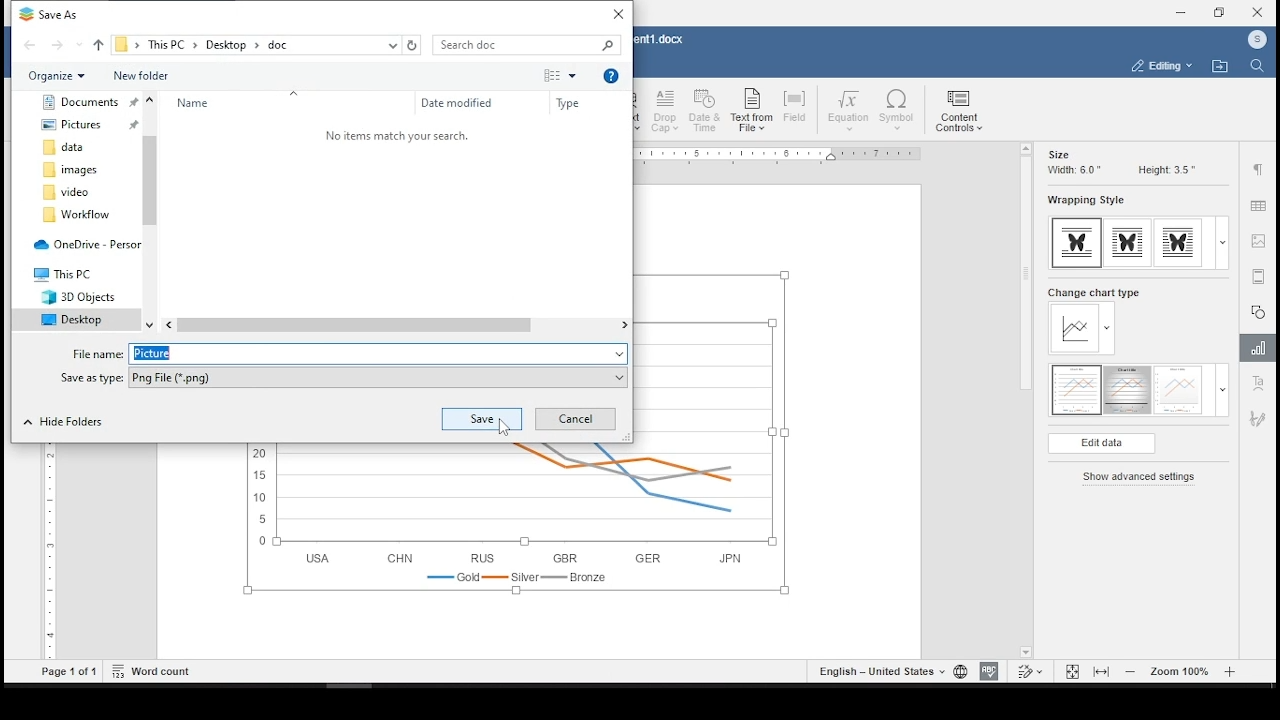 Image resolution: width=1280 pixels, height=720 pixels. What do you see at coordinates (1258, 276) in the screenshot?
I see `audio or video settings` at bounding box center [1258, 276].